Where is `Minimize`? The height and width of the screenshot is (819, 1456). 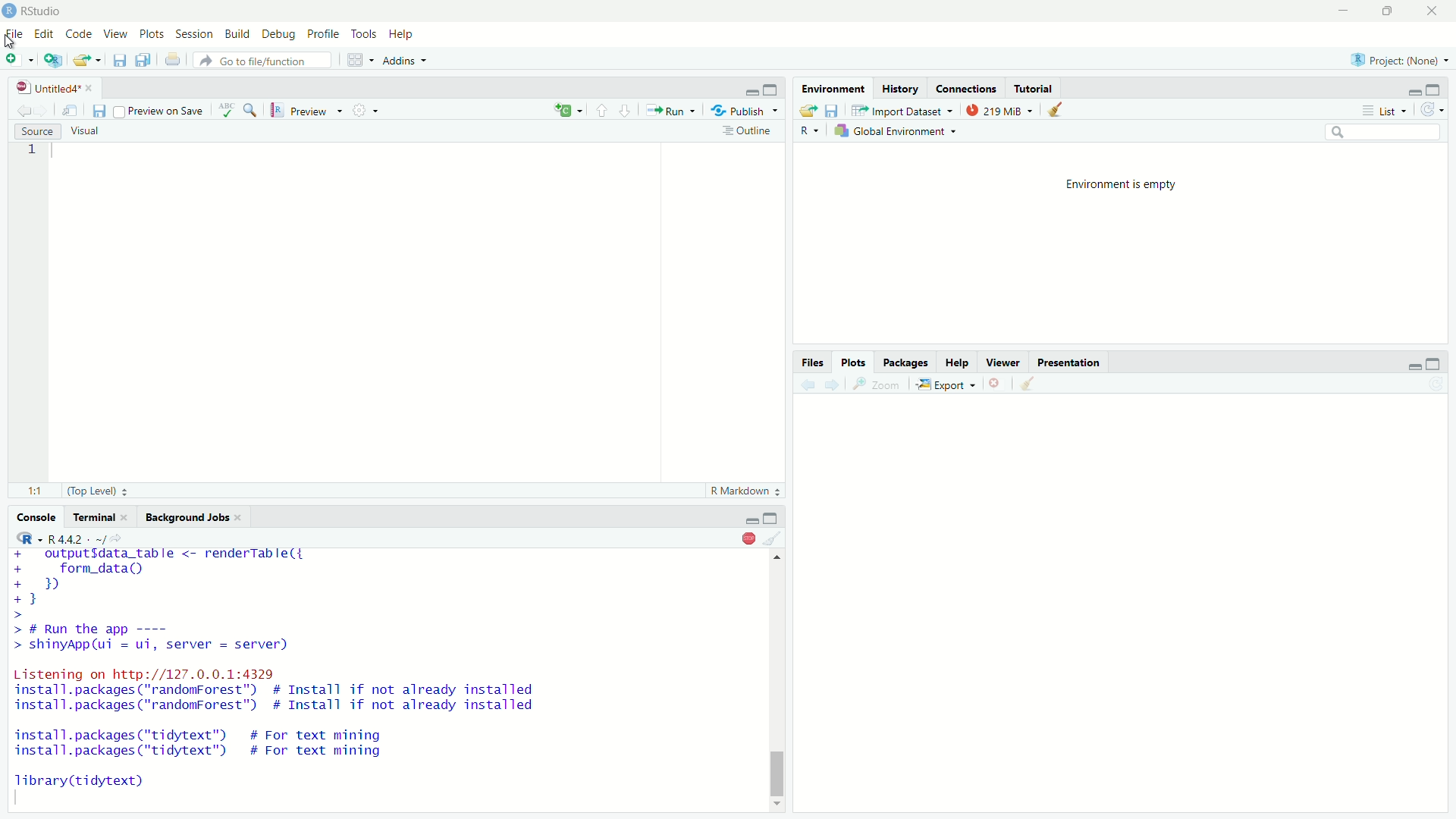
Minimize is located at coordinates (1344, 11).